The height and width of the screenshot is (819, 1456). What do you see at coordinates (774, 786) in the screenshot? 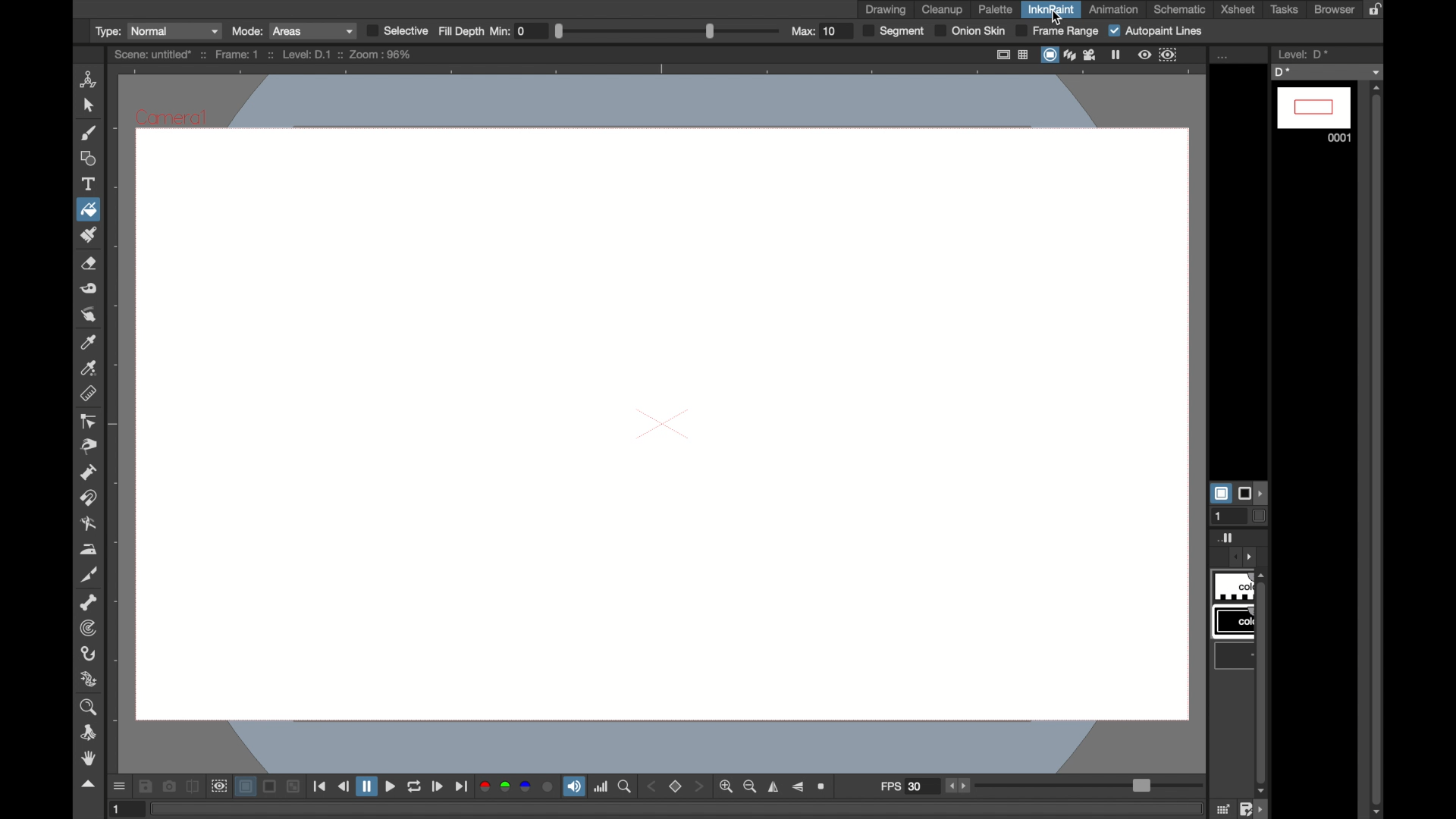
I see `flip horizontally` at bounding box center [774, 786].